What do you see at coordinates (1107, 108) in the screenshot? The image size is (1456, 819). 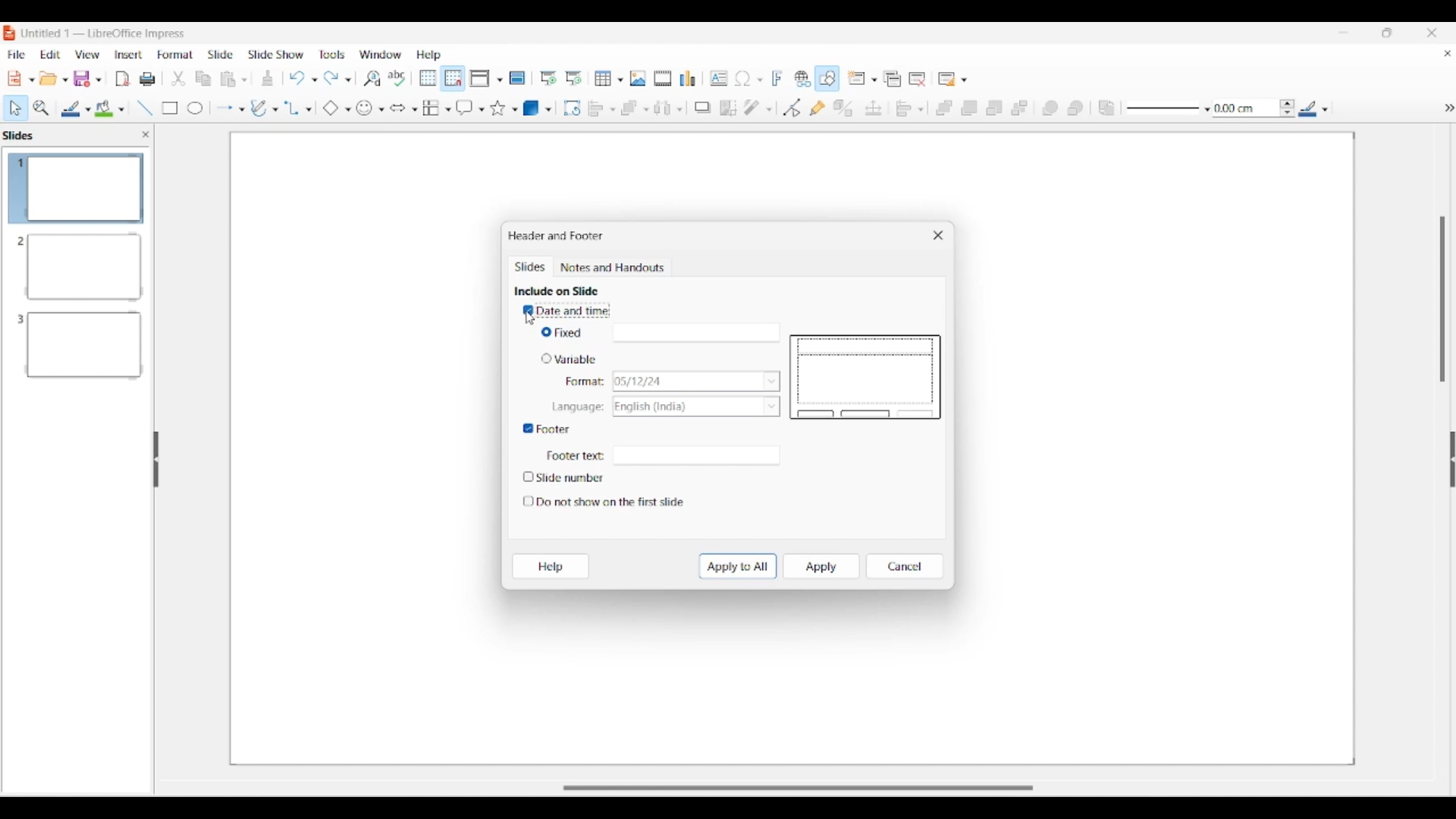 I see `Reverse` at bounding box center [1107, 108].